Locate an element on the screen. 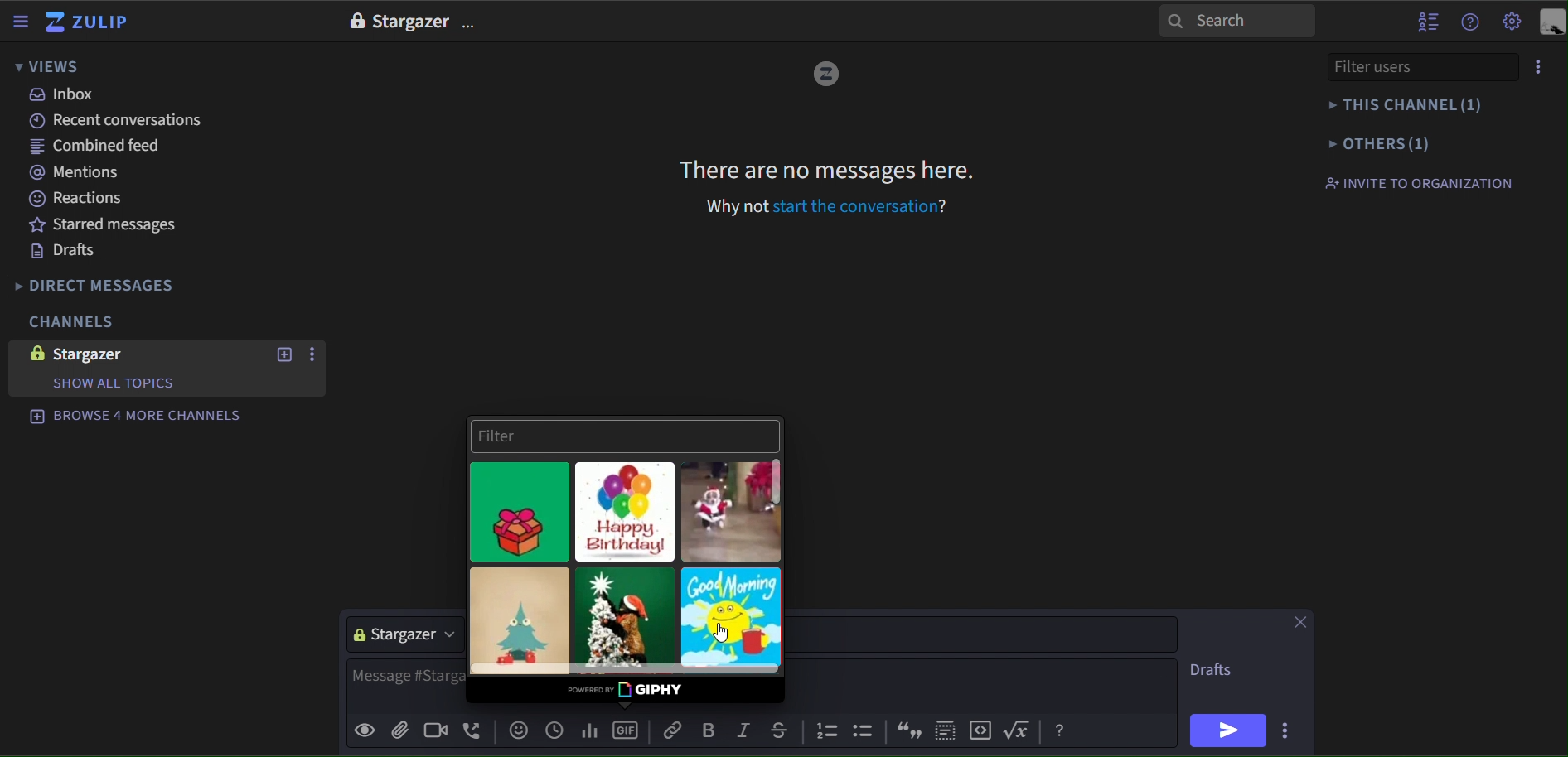 The width and height of the screenshot is (1568, 757). icon is located at coordinates (946, 727).